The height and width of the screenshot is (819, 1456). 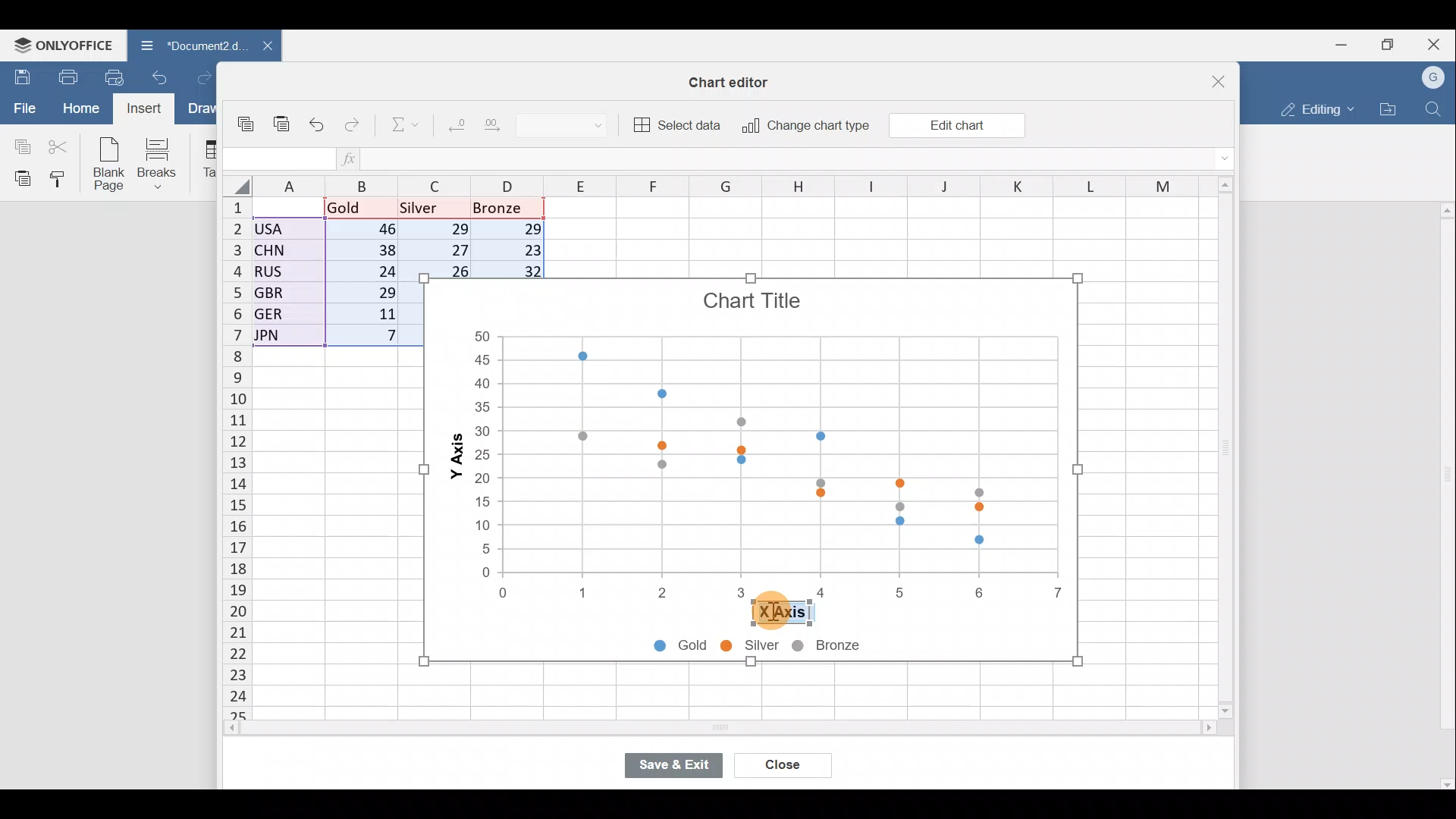 I want to click on Cursor on X-axis, so click(x=775, y=614).